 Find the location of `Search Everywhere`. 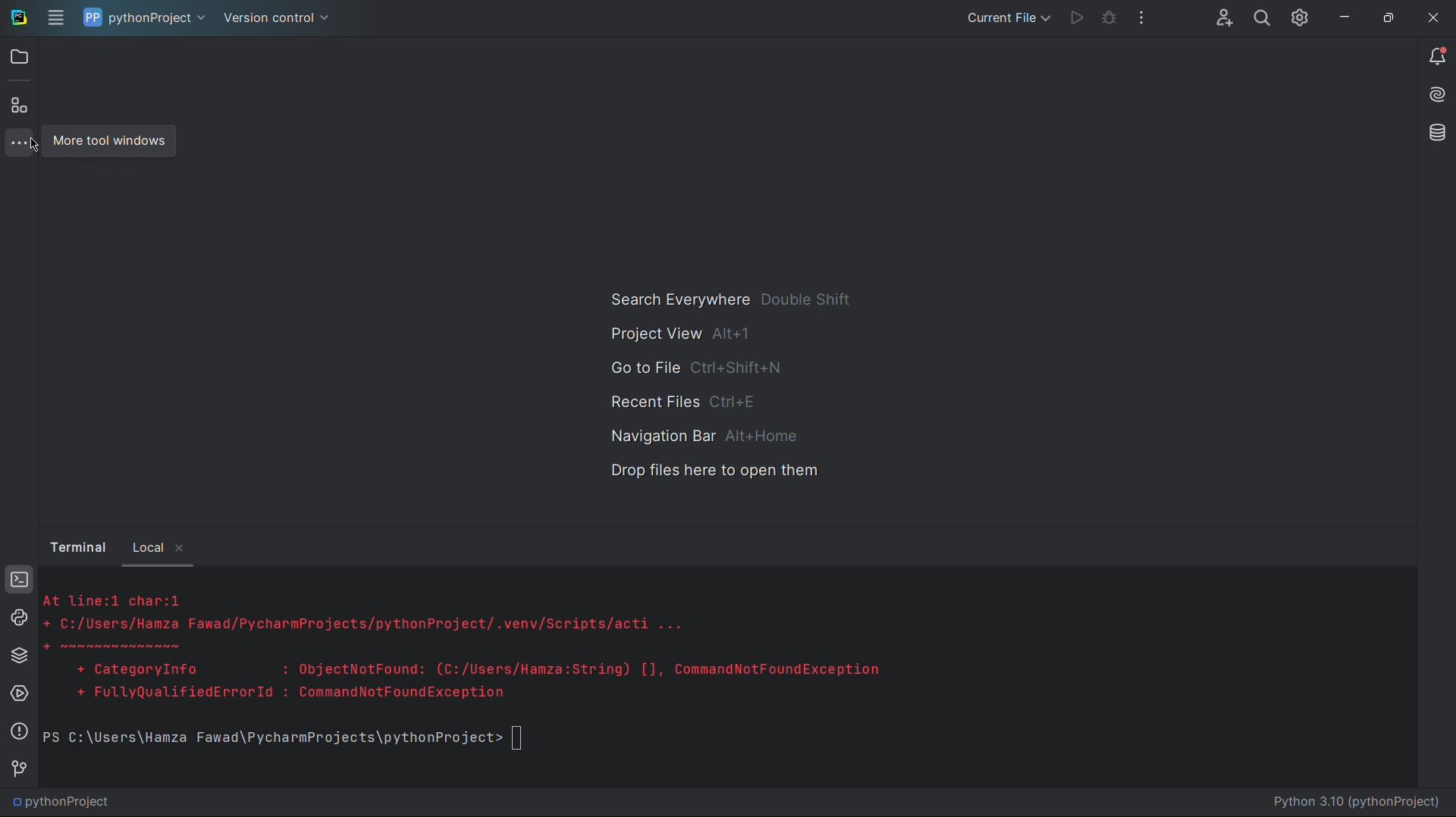

Search Everywhere is located at coordinates (730, 298).